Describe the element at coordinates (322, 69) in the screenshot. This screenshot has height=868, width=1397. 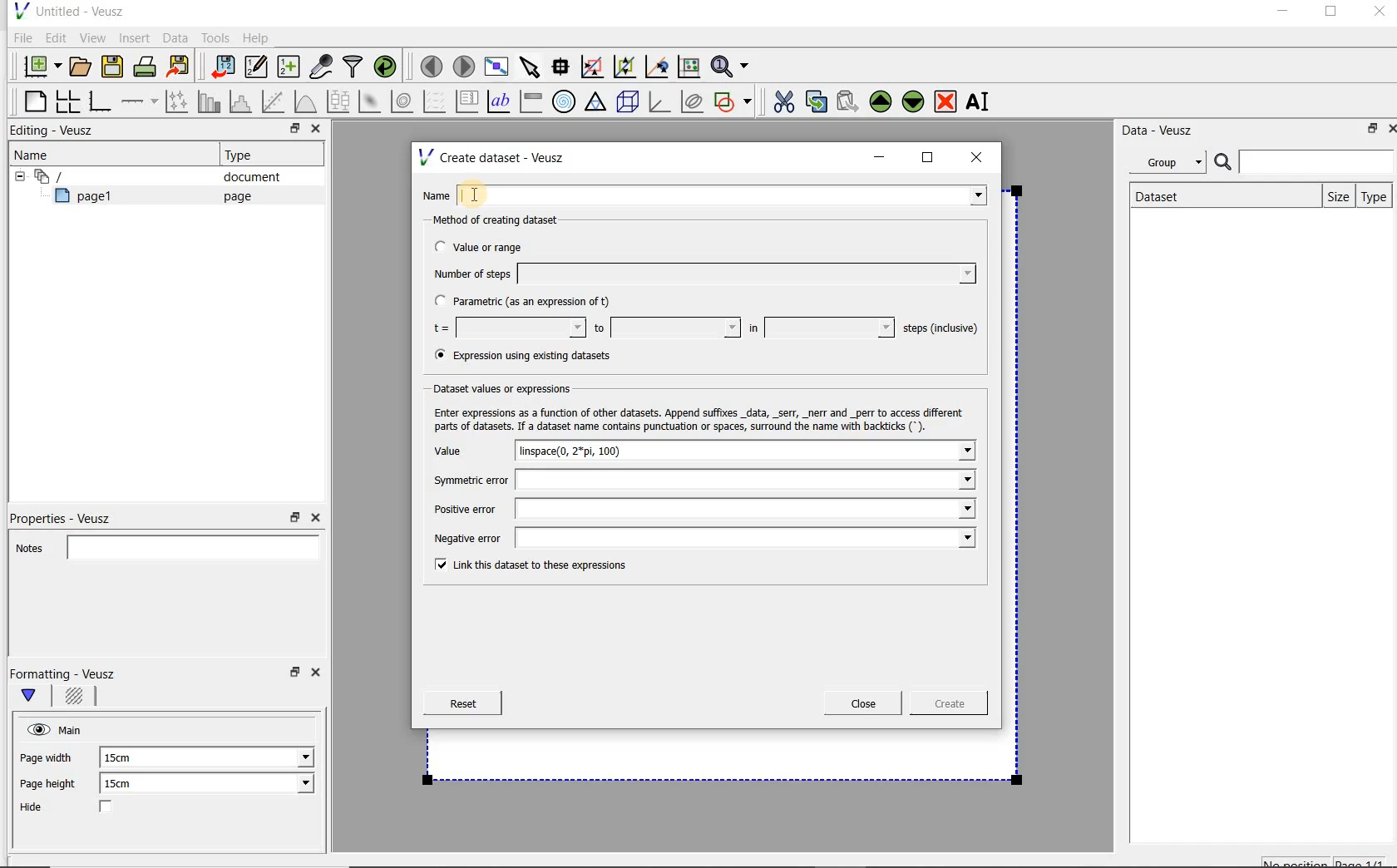
I see `capture remote data` at that location.